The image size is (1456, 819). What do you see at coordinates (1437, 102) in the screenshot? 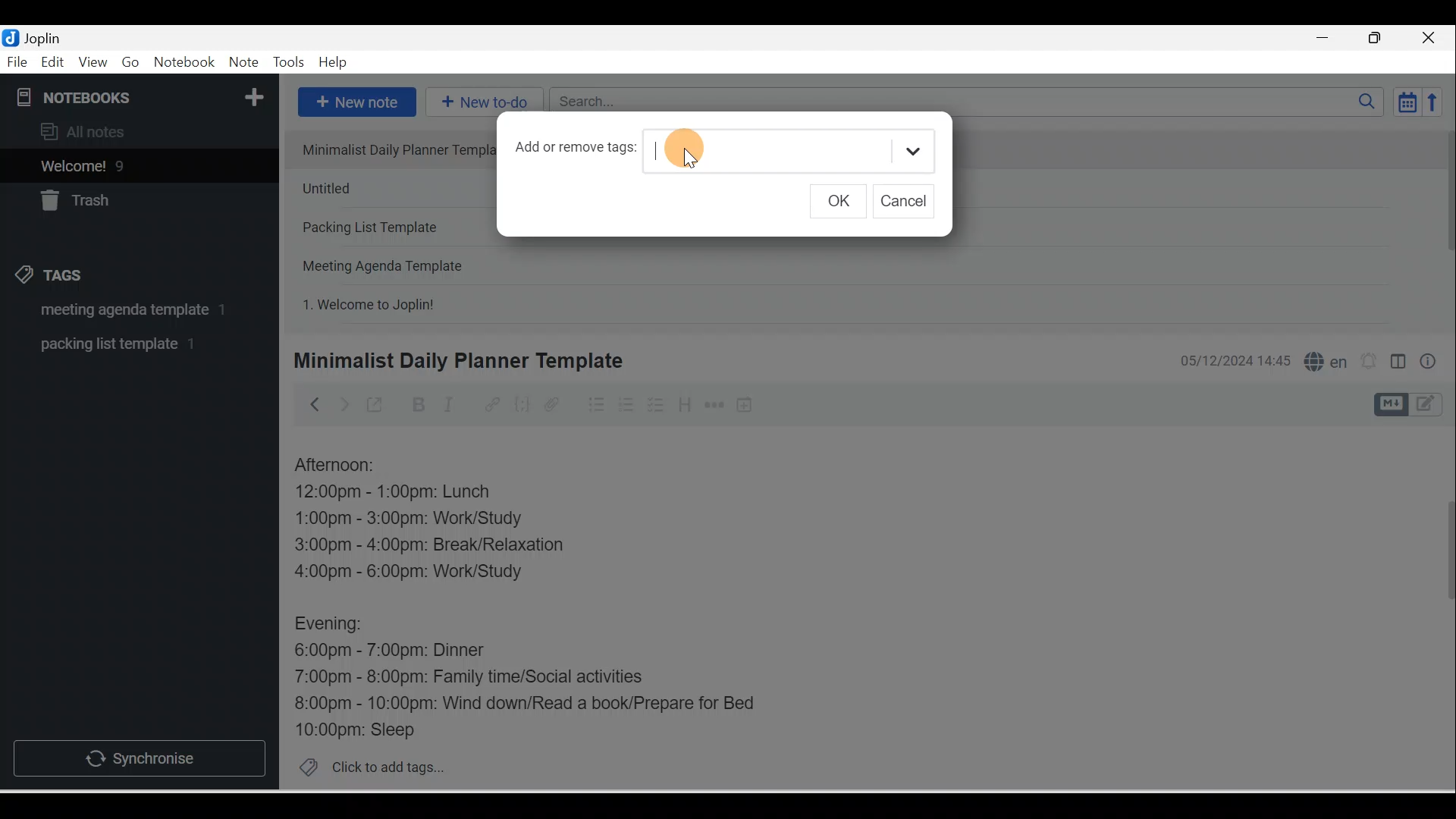
I see `Reverse sort` at bounding box center [1437, 102].